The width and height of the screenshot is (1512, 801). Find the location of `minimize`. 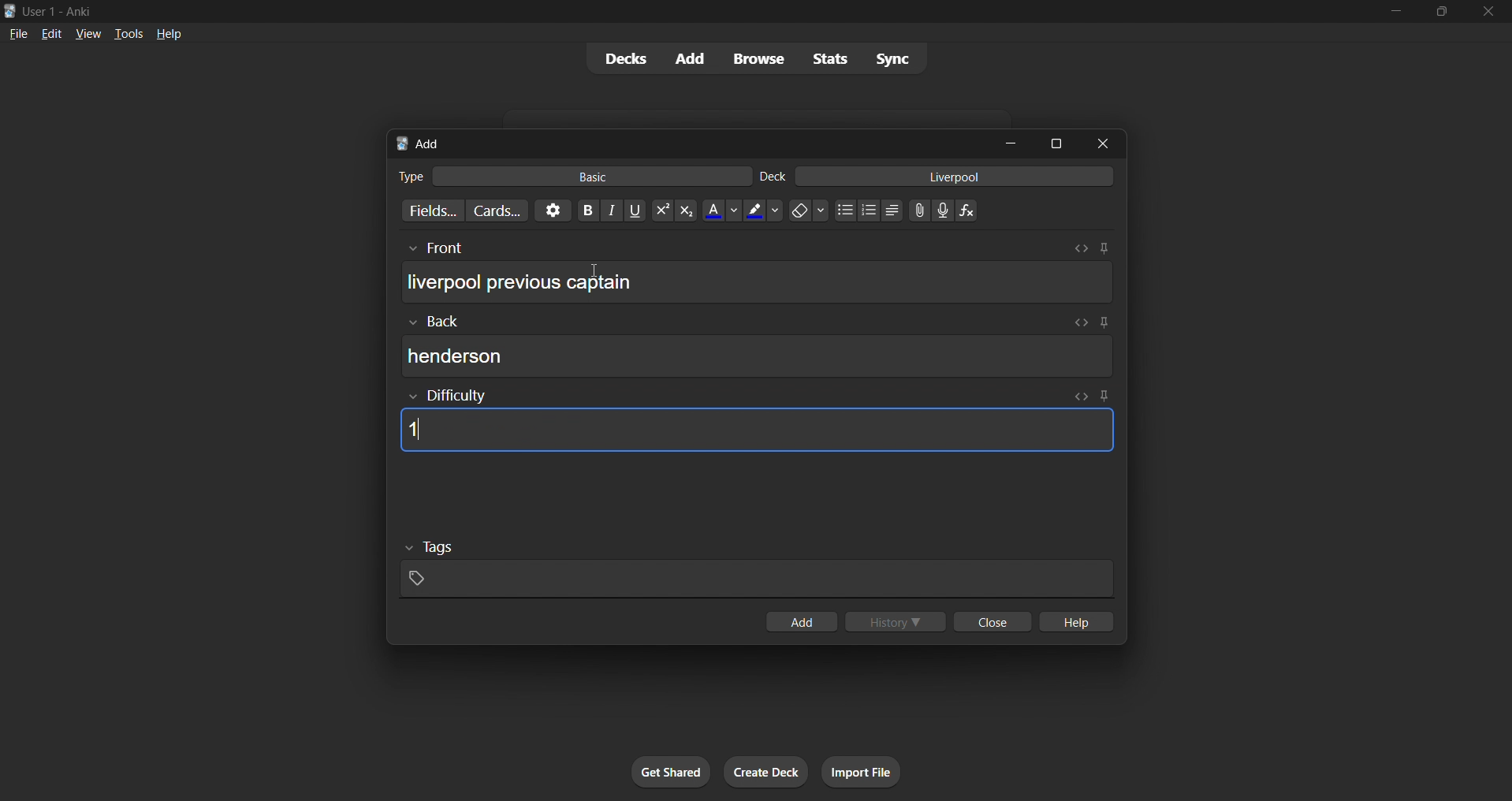

minimize is located at coordinates (1393, 13).